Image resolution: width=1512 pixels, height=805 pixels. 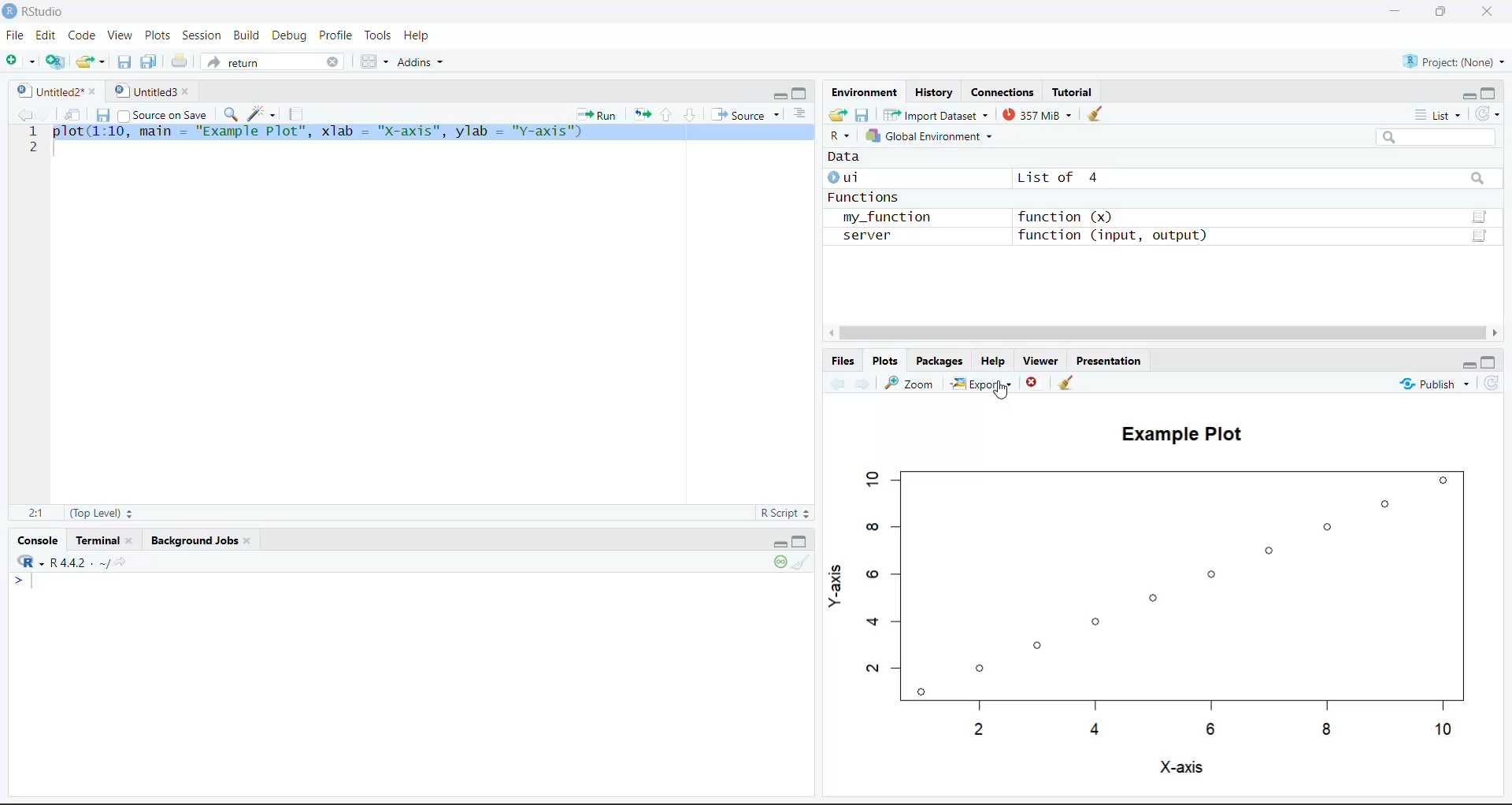 What do you see at coordinates (1481, 237) in the screenshot?
I see `Data/Table` at bounding box center [1481, 237].